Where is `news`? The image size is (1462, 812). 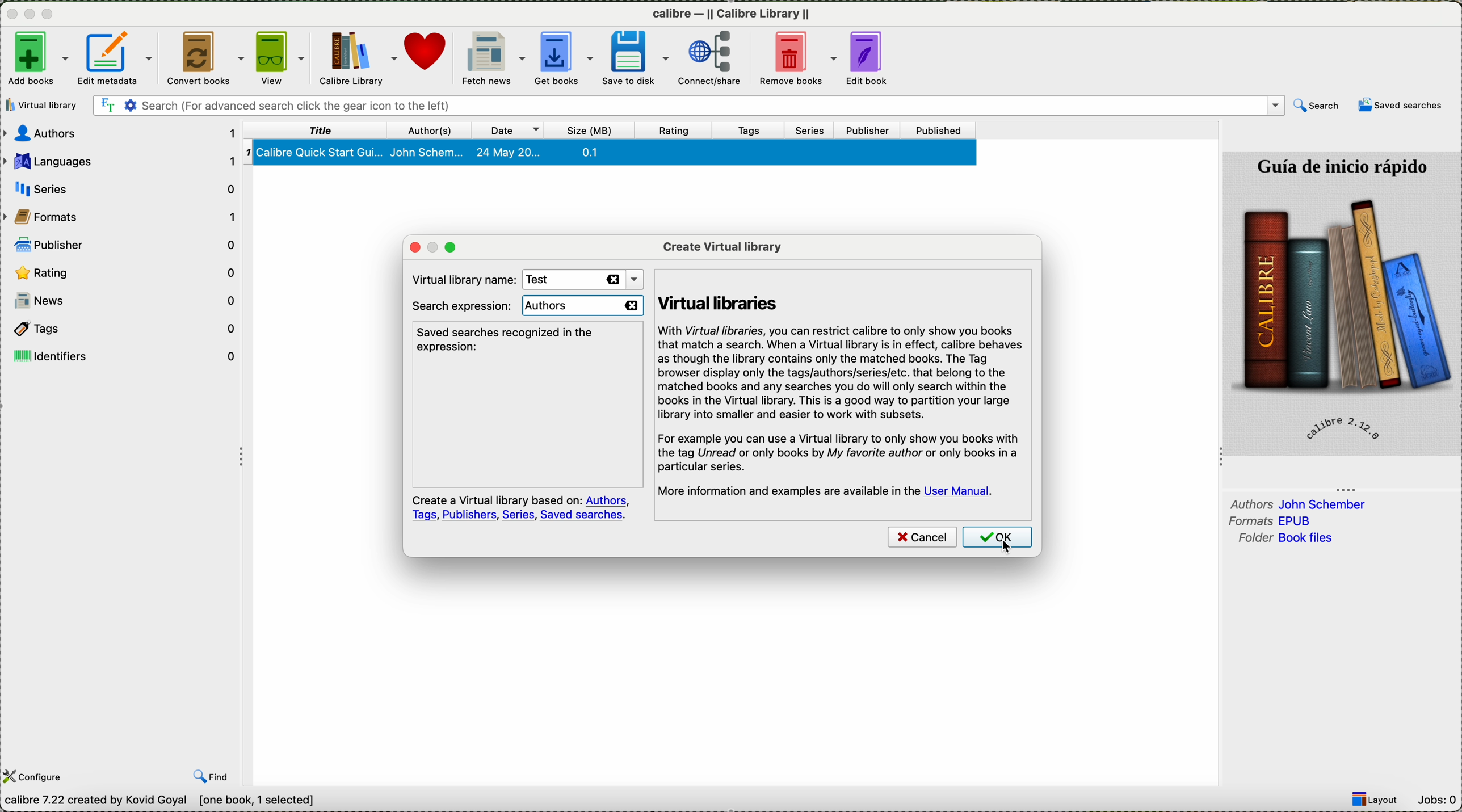
news is located at coordinates (125, 303).